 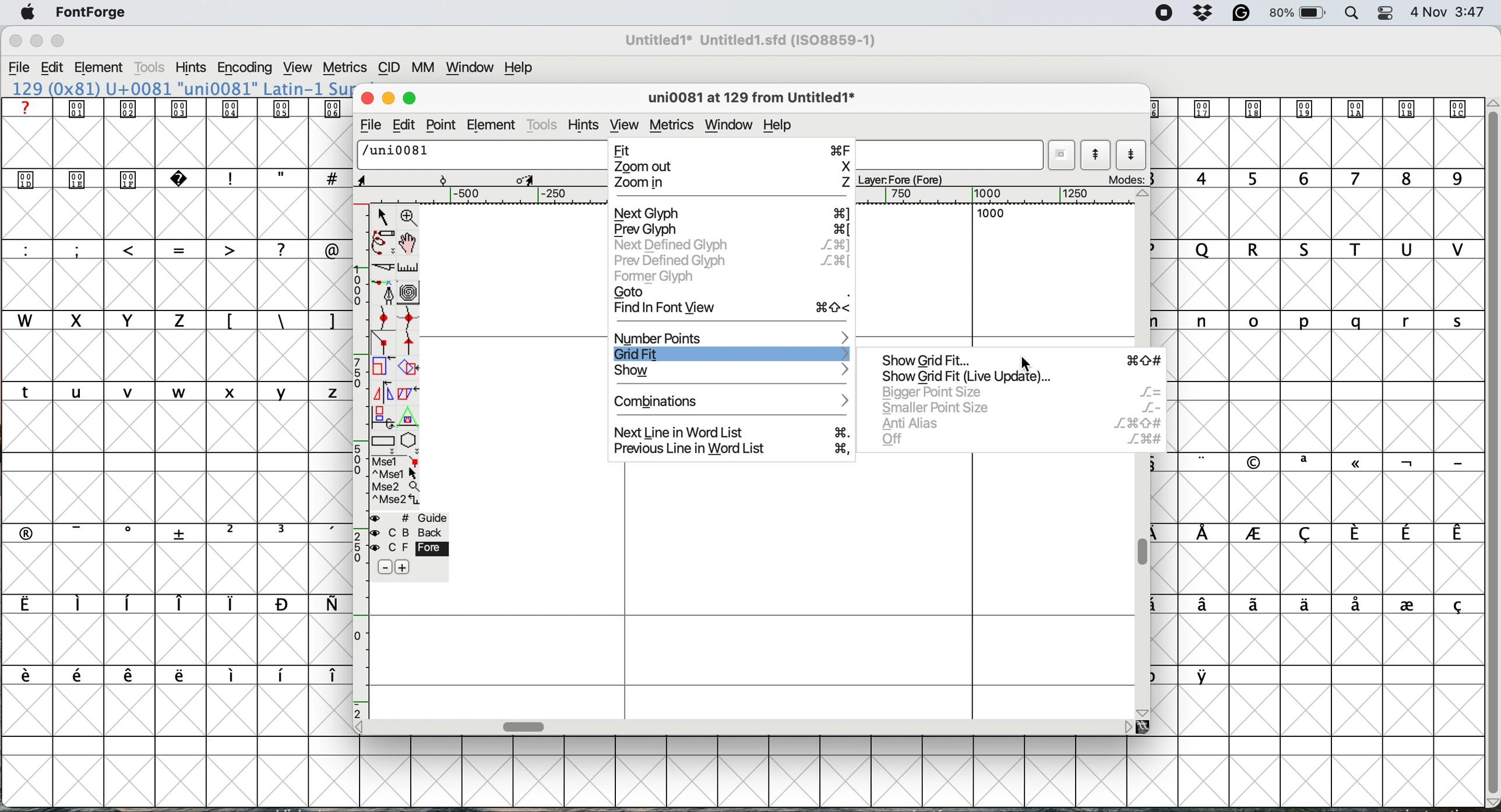 What do you see at coordinates (1297, 14) in the screenshot?
I see `Battery Percentage and Status` at bounding box center [1297, 14].